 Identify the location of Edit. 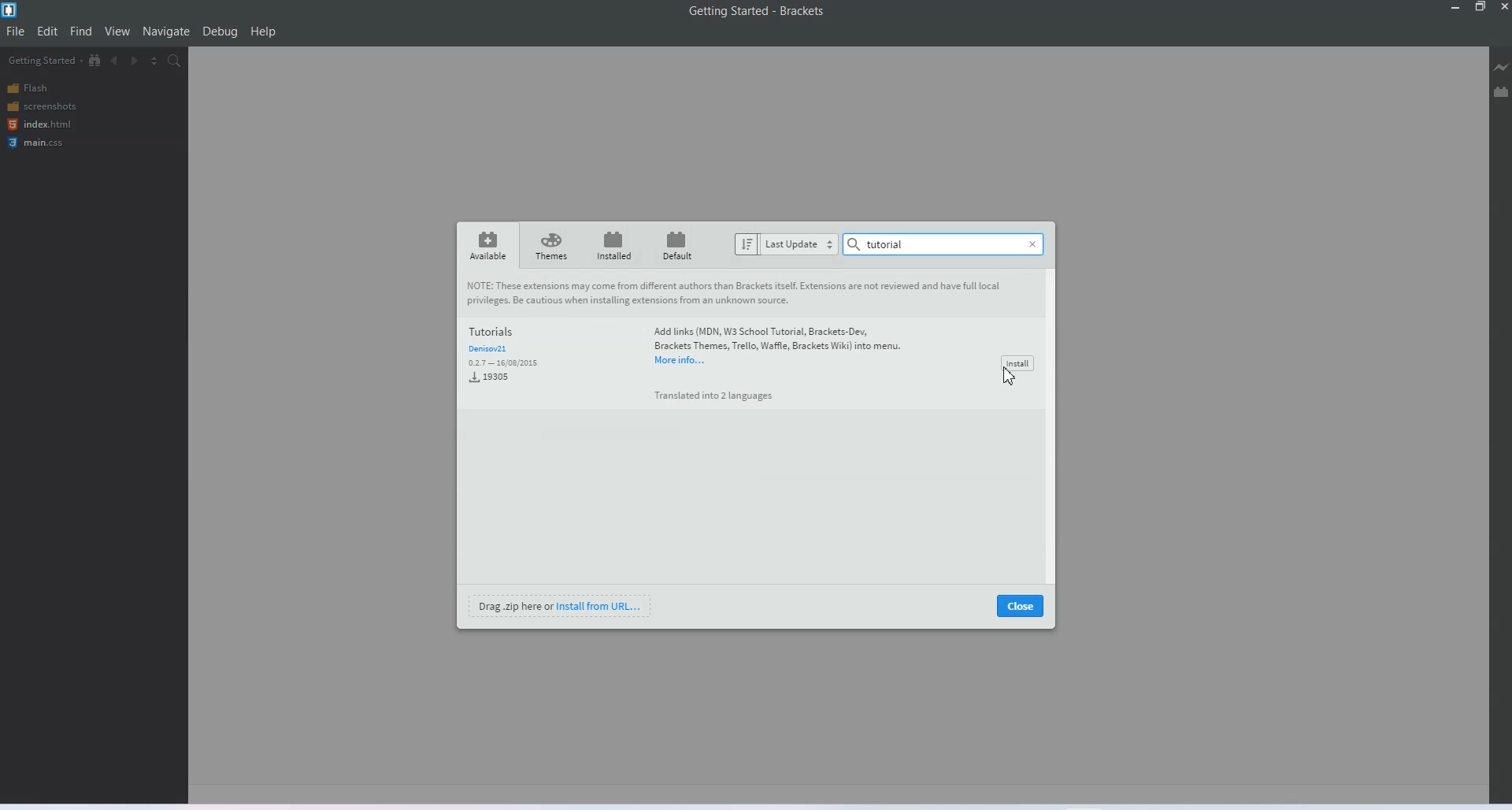
(47, 32).